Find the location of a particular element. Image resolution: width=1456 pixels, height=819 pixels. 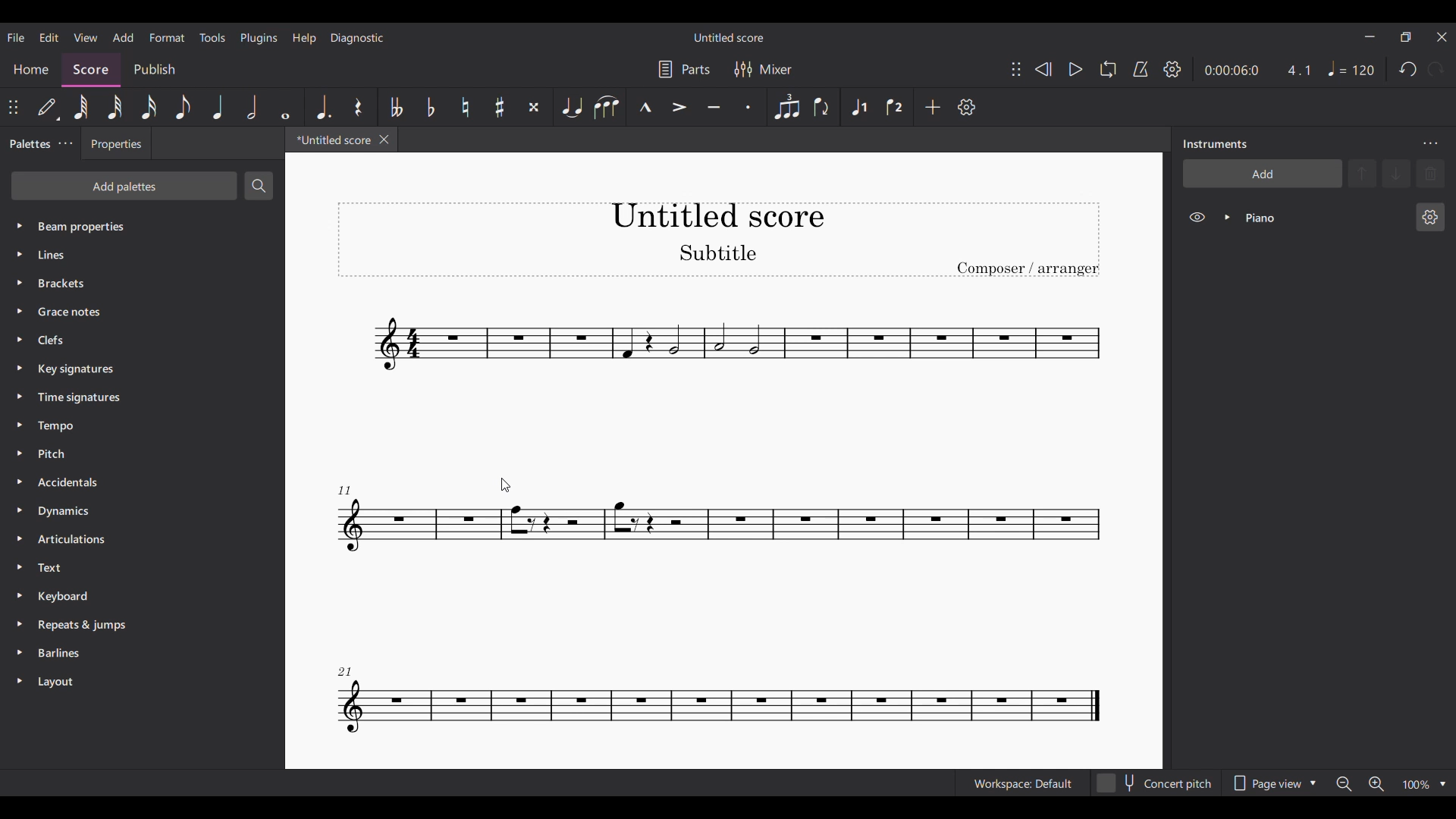

Tools menu is located at coordinates (213, 37).